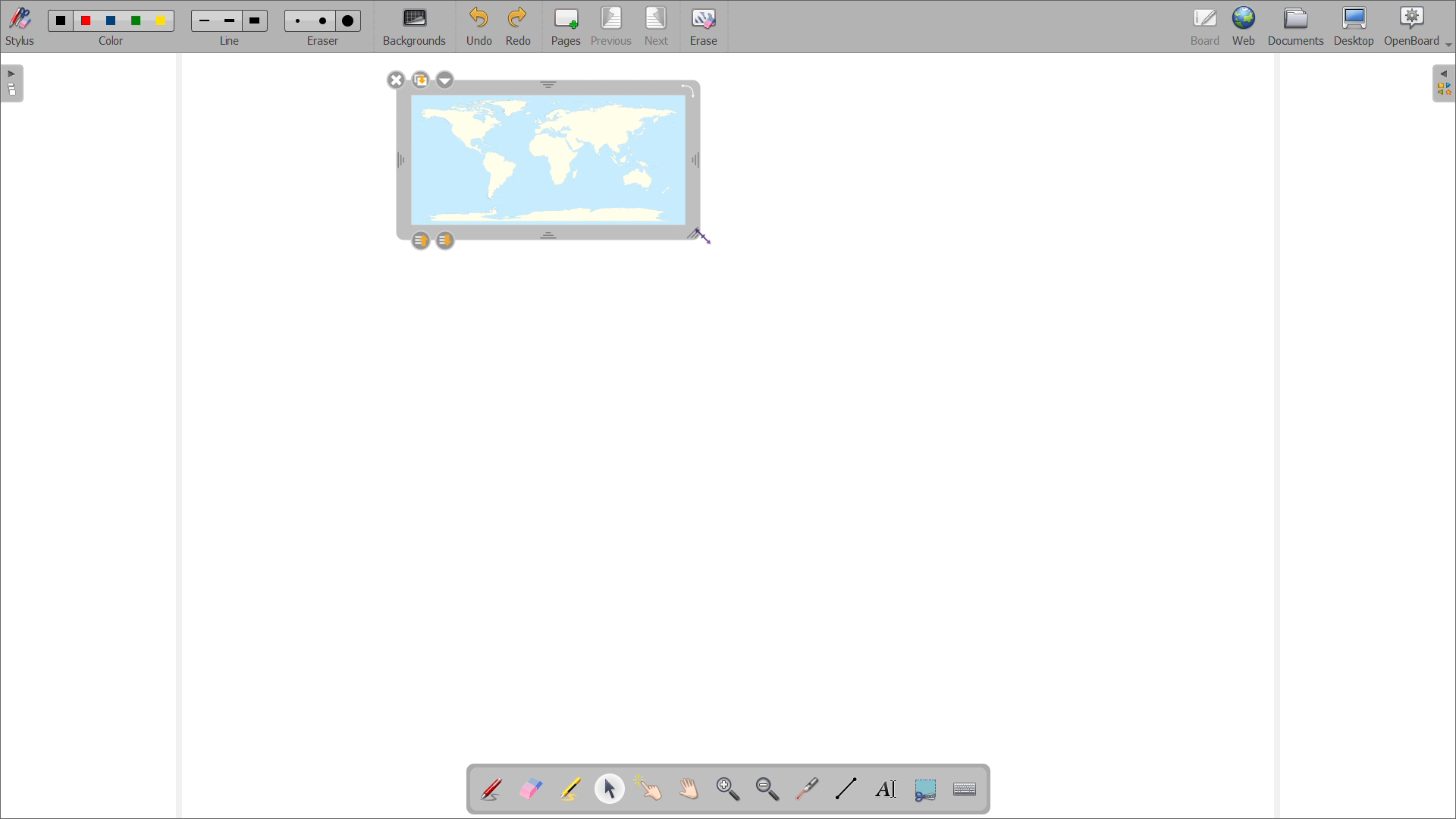 This screenshot has height=819, width=1456. Describe the element at coordinates (1354, 27) in the screenshot. I see `desktop` at that location.